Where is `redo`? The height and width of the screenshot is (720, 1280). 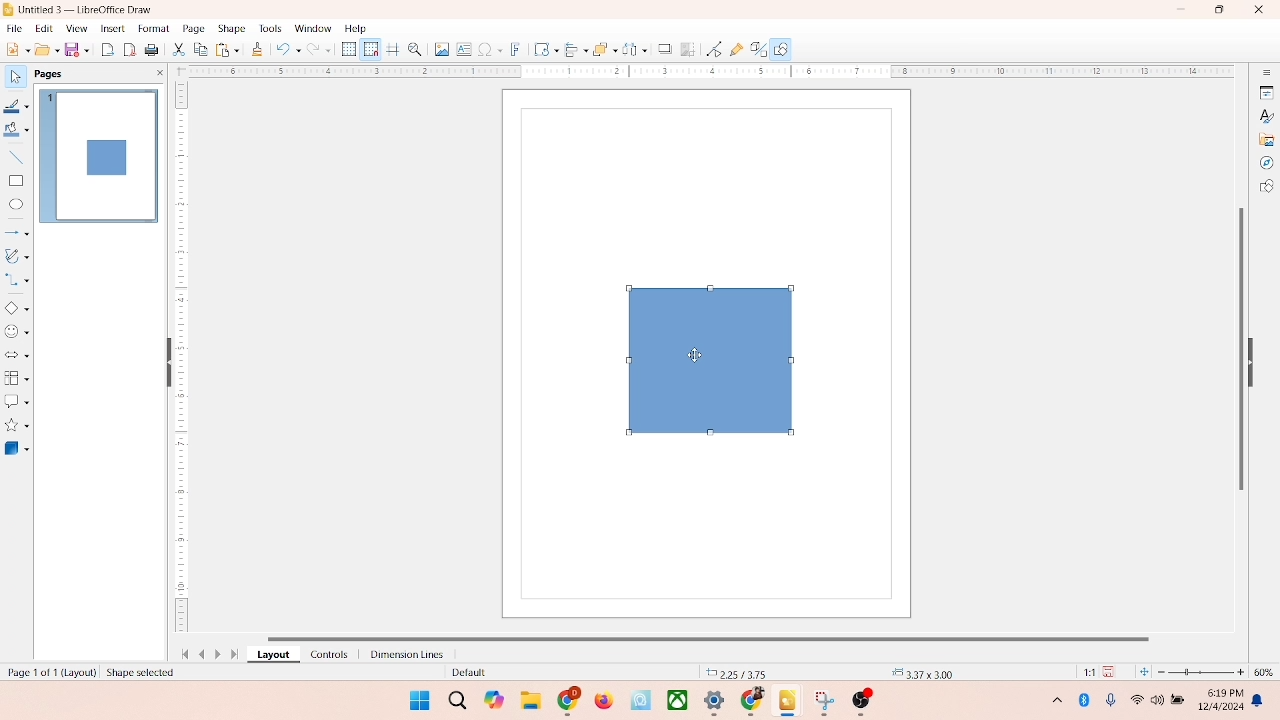
redo is located at coordinates (323, 51).